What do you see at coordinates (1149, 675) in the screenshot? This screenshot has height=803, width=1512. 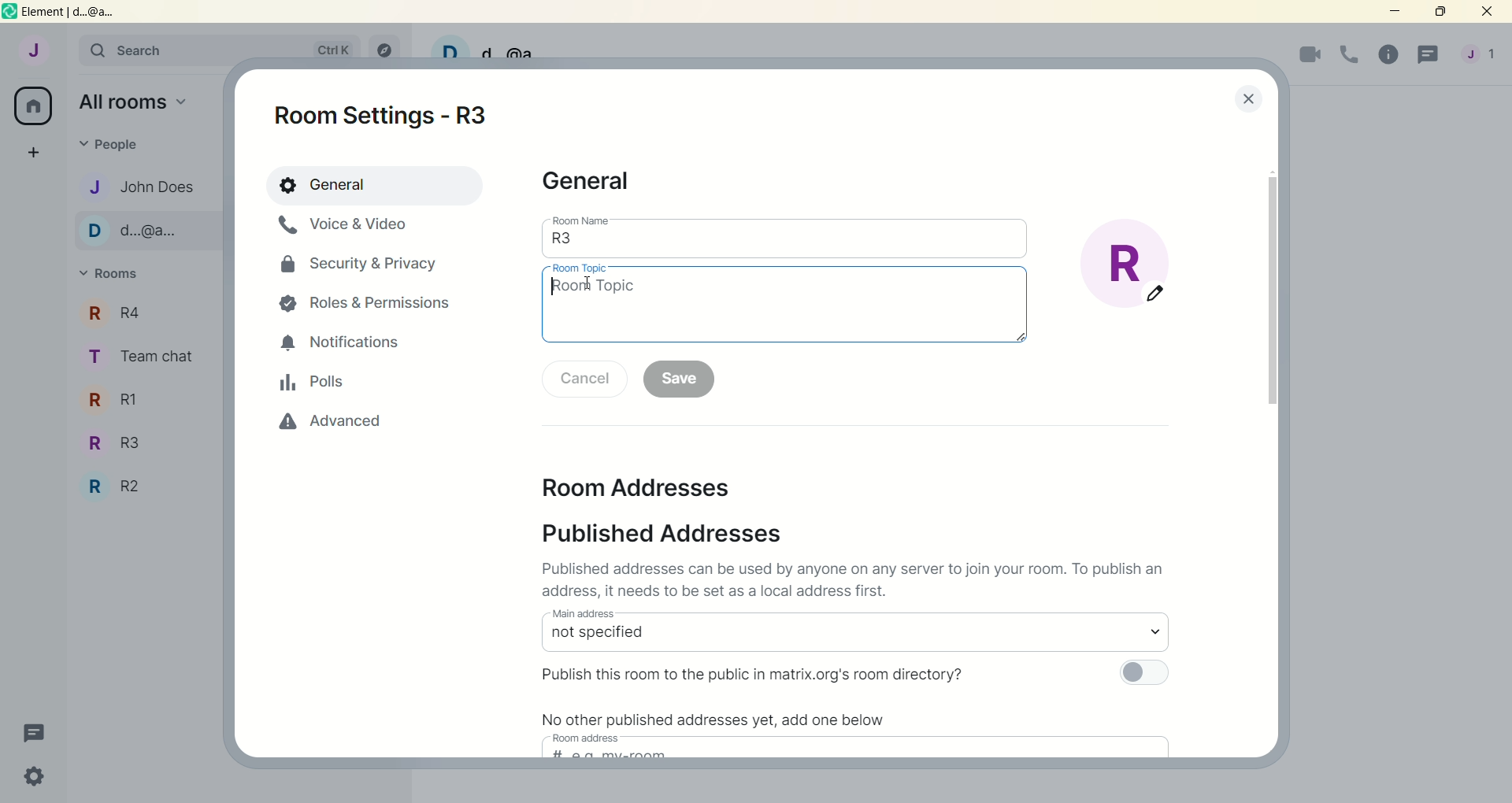 I see `toggle button` at bounding box center [1149, 675].